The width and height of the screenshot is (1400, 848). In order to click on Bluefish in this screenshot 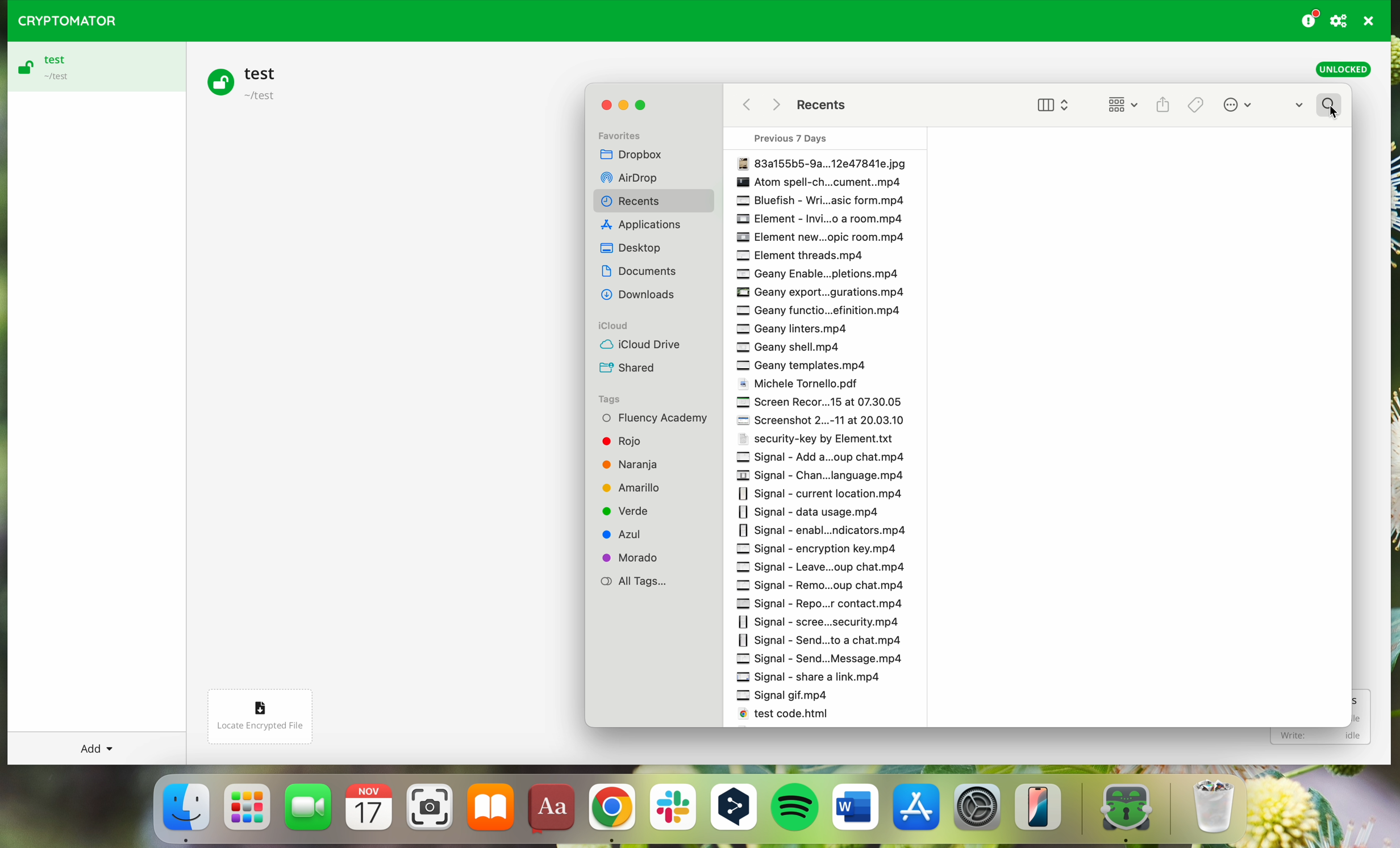, I will do `click(814, 200)`.